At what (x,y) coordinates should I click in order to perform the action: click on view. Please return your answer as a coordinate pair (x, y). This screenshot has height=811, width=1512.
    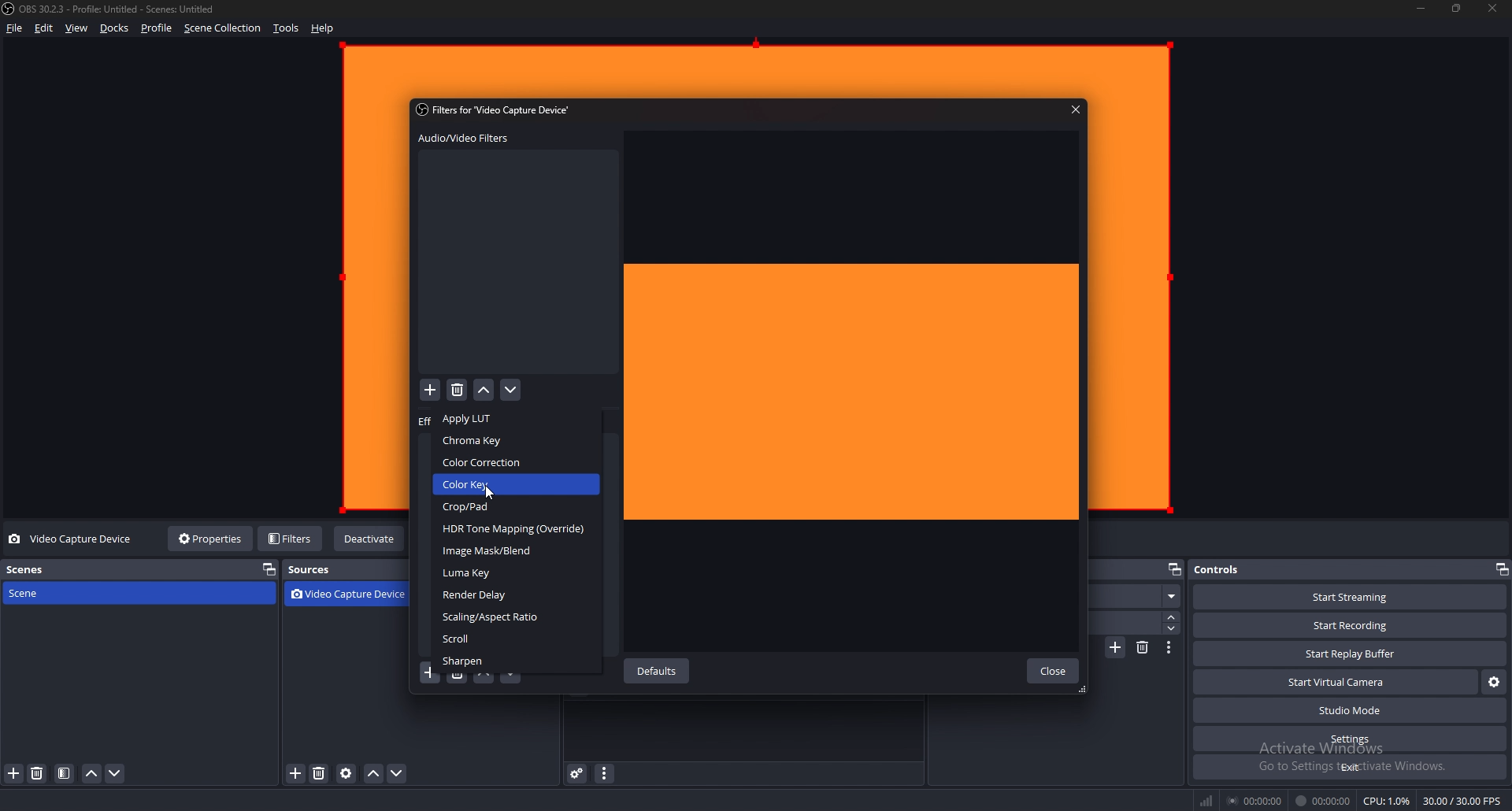
    Looking at the image, I should click on (77, 28).